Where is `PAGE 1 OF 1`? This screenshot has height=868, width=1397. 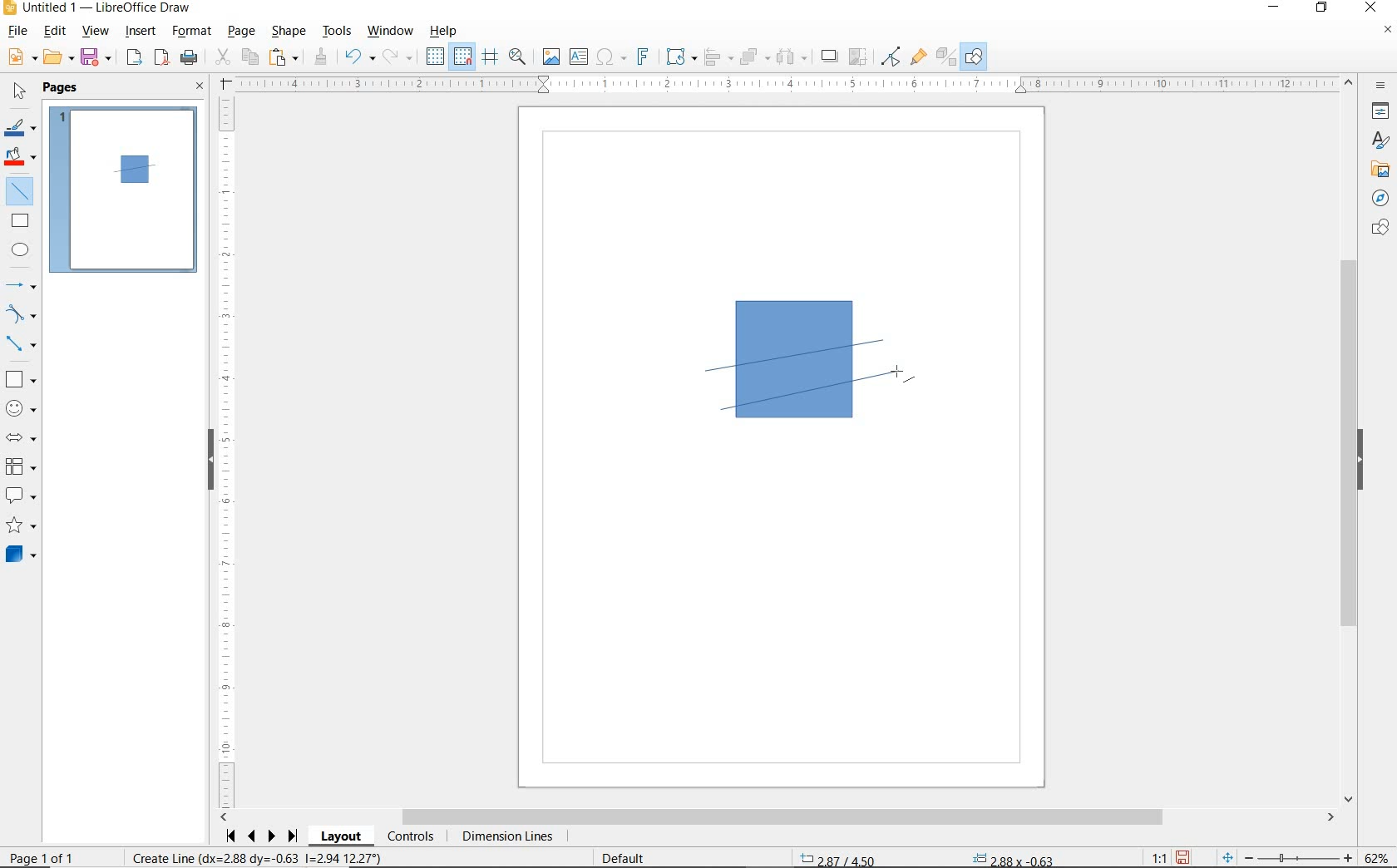 PAGE 1 OF 1 is located at coordinates (60, 860).